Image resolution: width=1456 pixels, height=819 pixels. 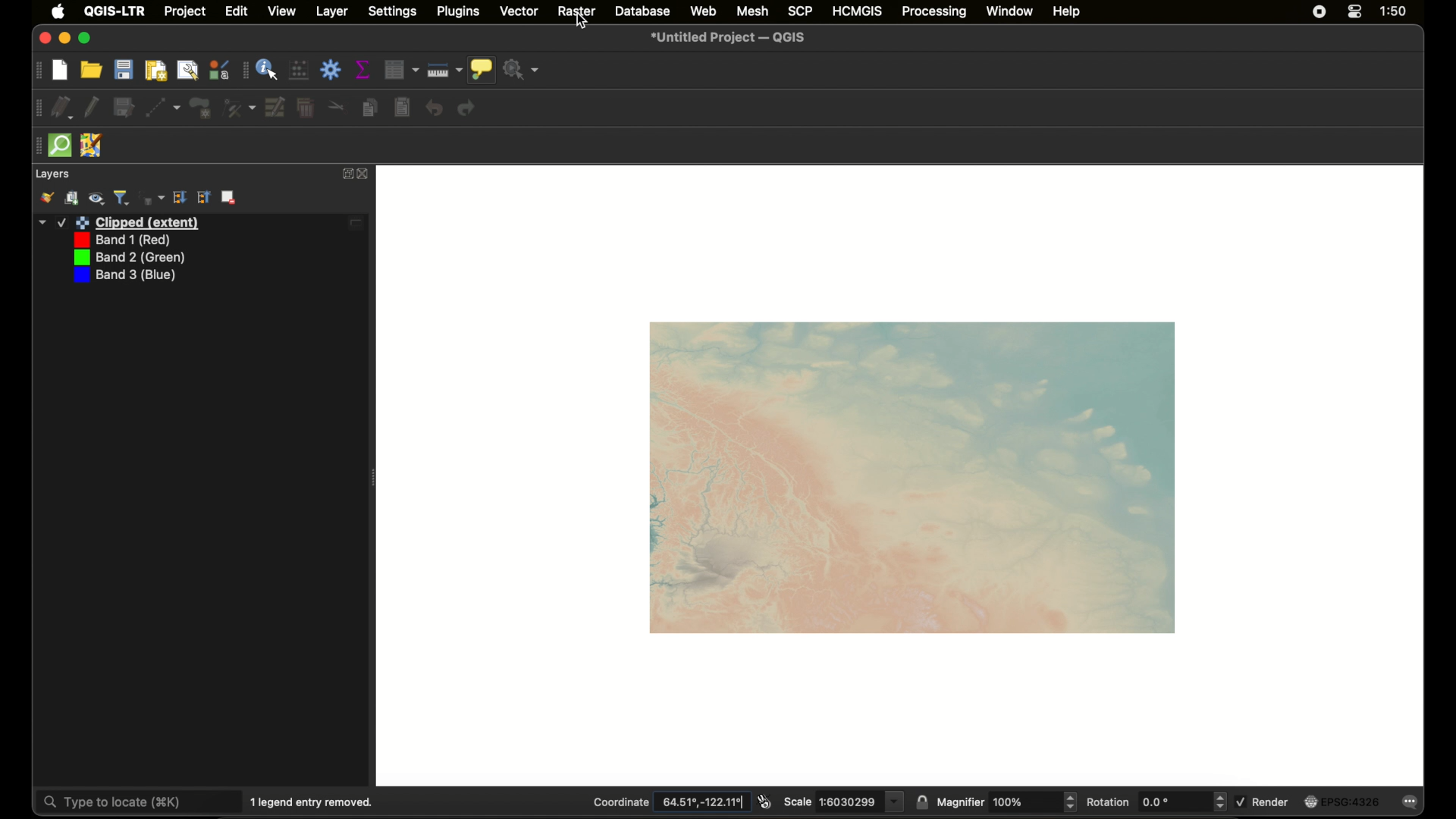 What do you see at coordinates (243, 71) in the screenshot?
I see `drag handle` at bounding box center [243, 71].